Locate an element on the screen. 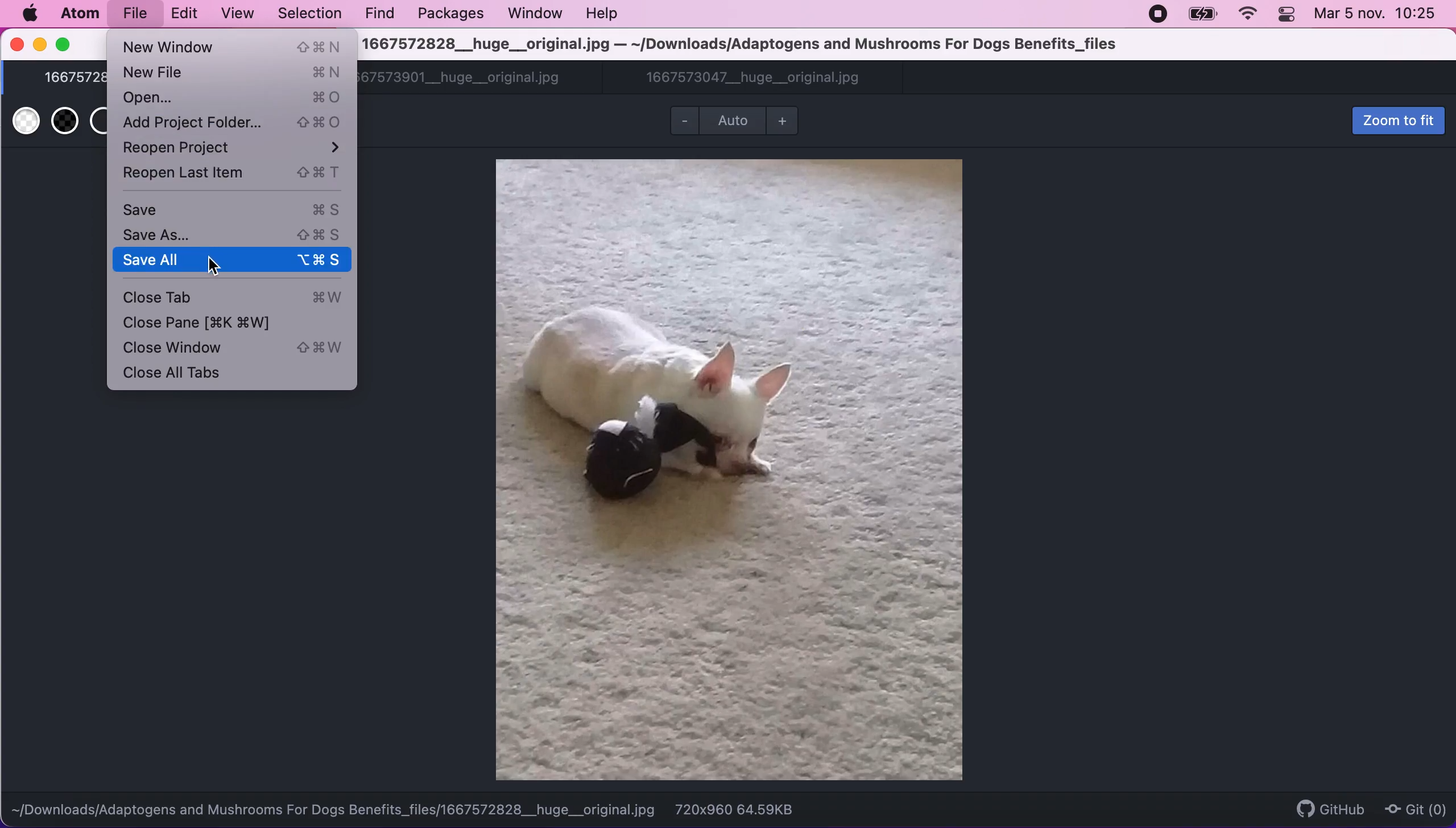  use transparent background is located at coordinates (97, 122).